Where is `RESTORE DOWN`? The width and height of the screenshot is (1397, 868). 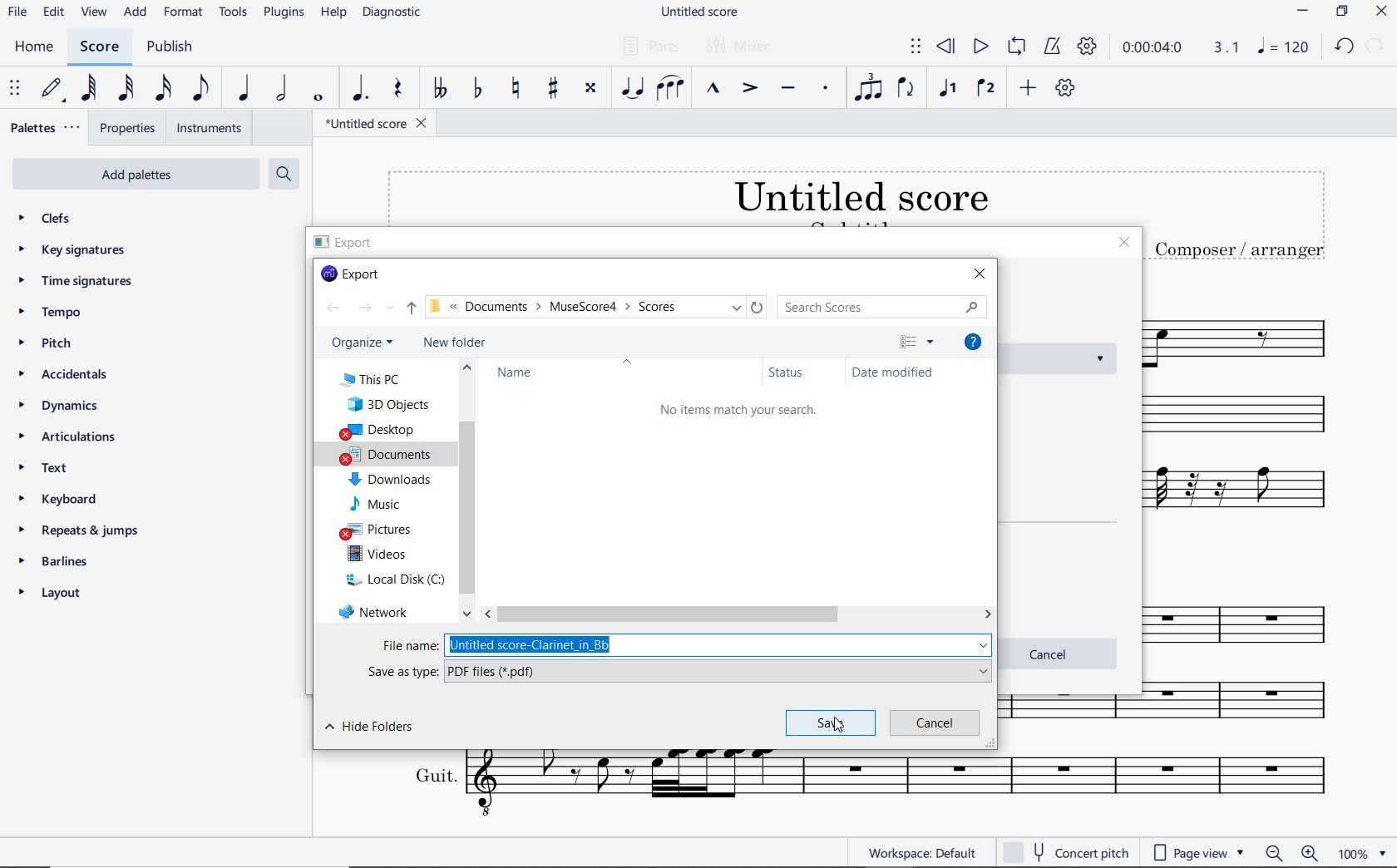
RESTORE DOWN is located at coordinates (1341, 12).